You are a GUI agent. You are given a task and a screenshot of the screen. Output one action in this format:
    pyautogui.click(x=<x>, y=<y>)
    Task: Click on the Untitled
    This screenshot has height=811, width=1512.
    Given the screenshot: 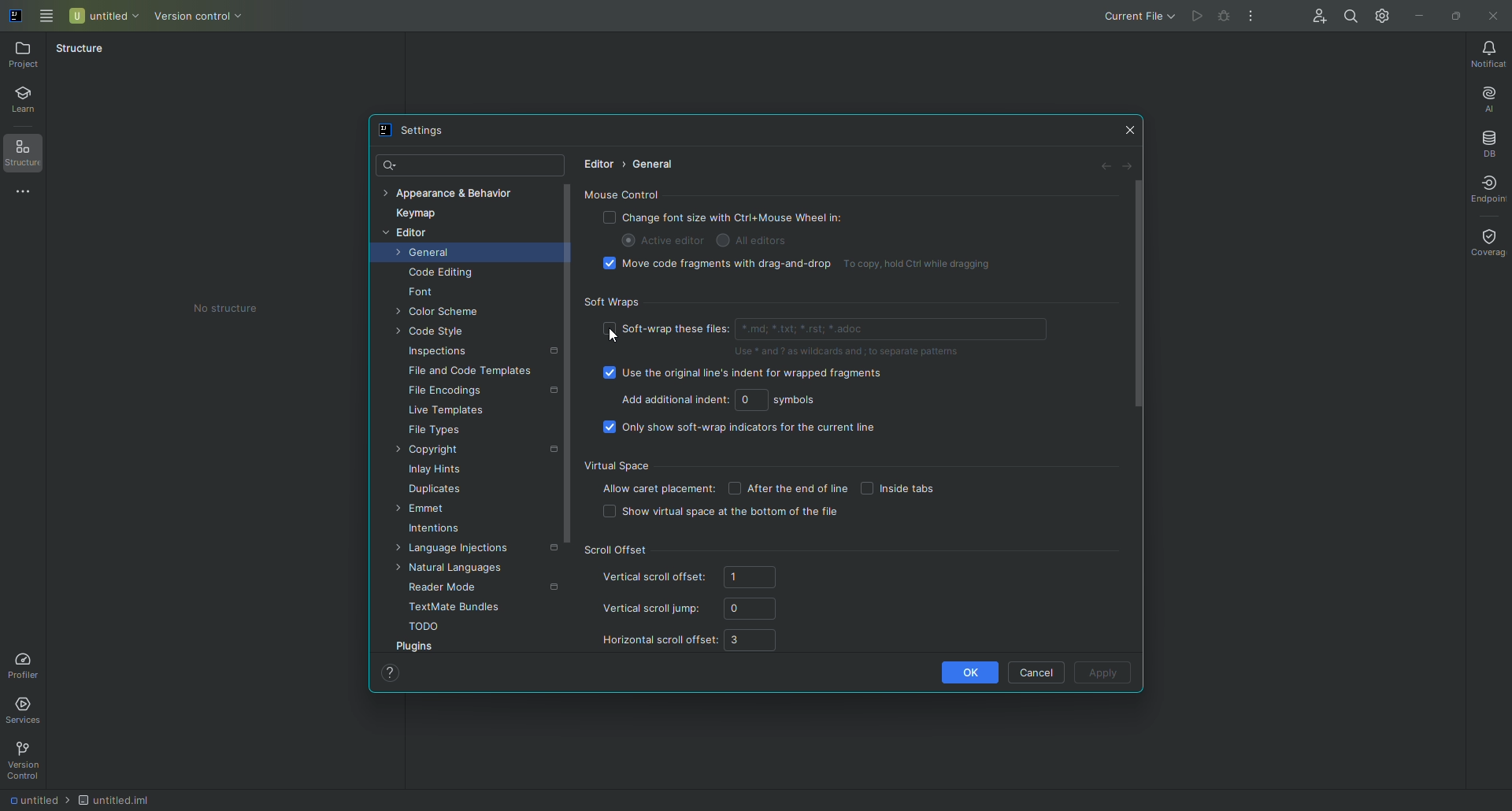 What is the action you would take?
    pyautogui.click(x=107, y=17)
    